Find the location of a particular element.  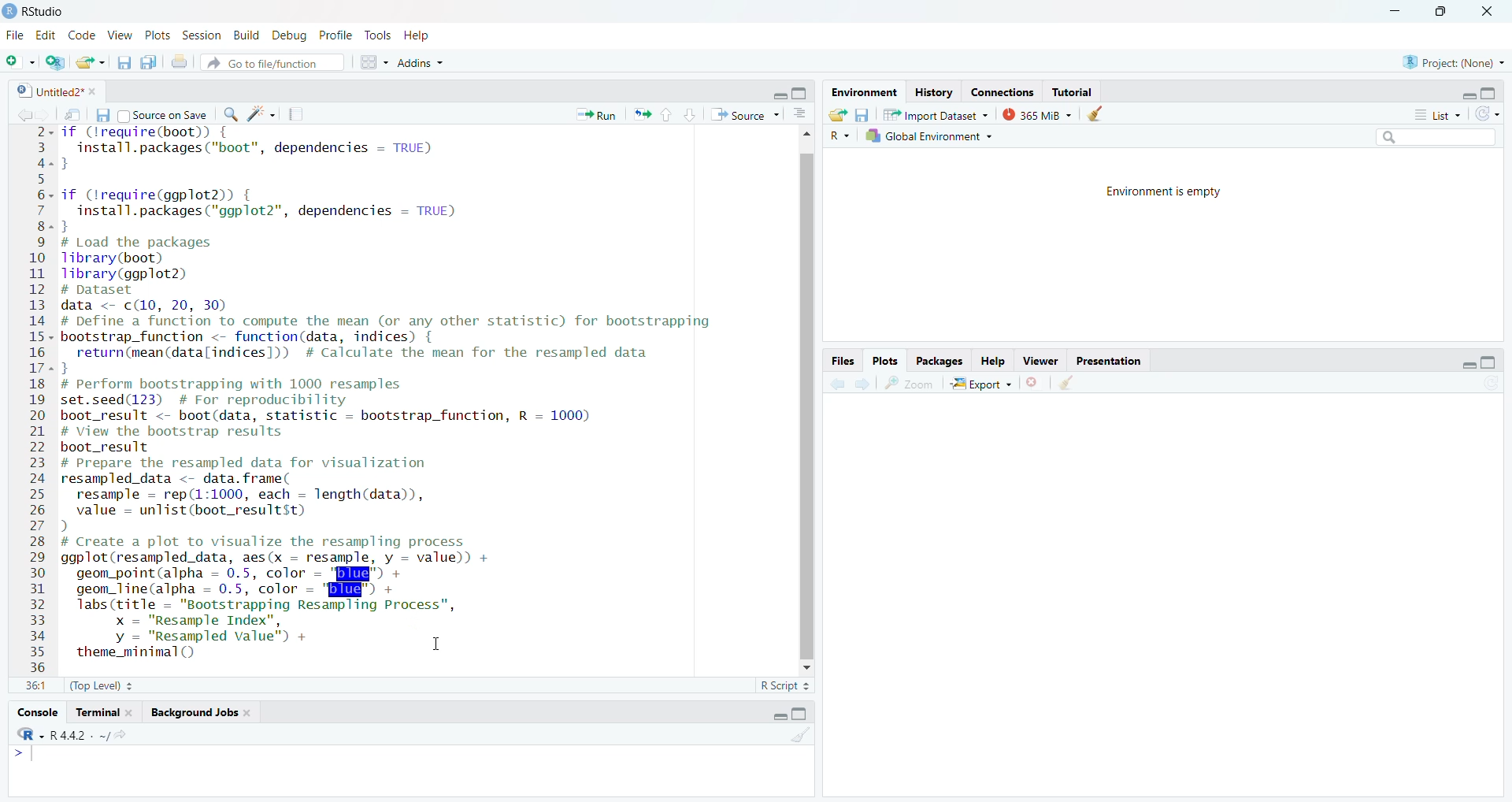

file is located at coordinates (13, 33).